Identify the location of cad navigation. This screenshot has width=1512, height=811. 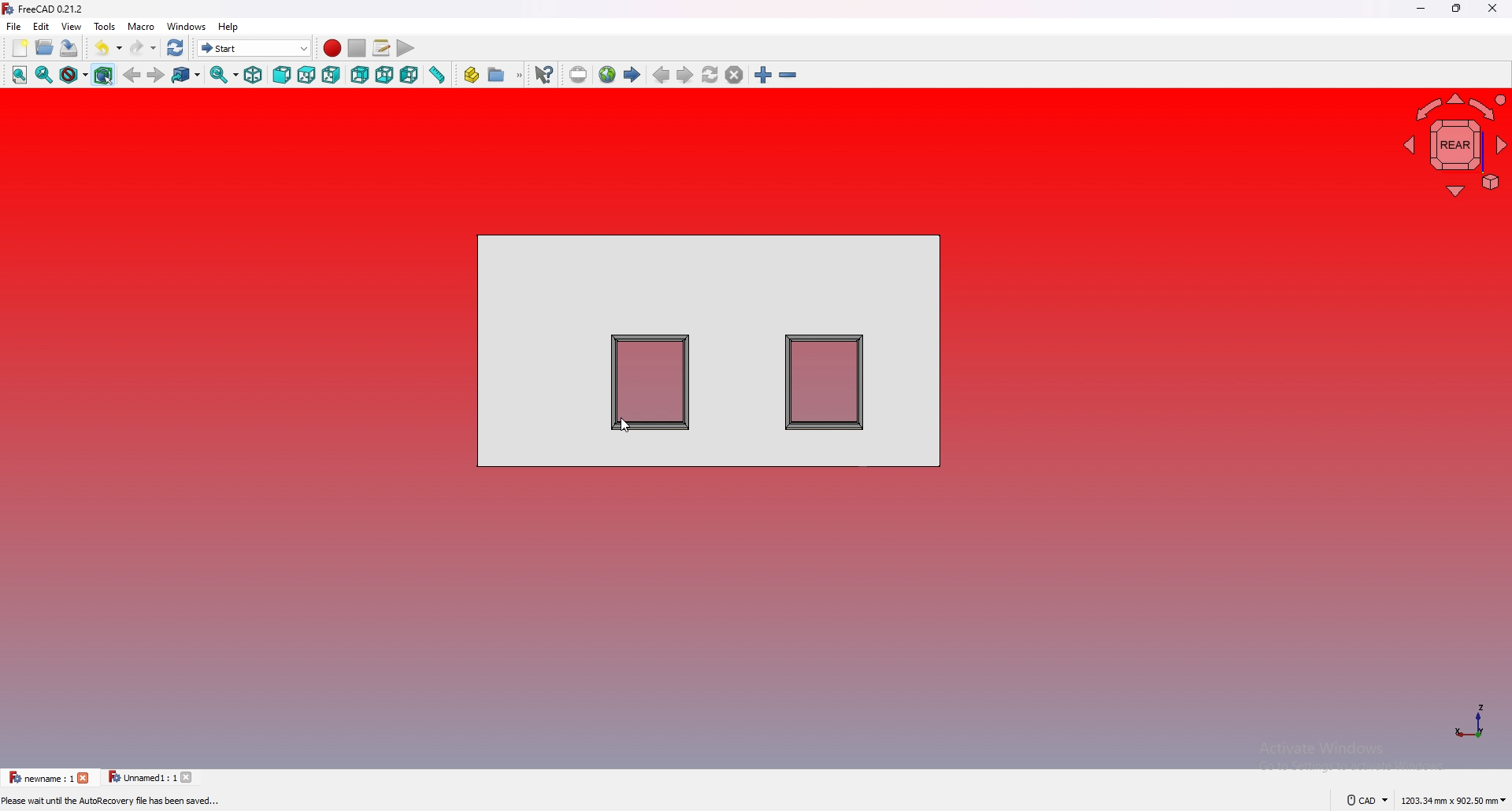
(1367, 799).